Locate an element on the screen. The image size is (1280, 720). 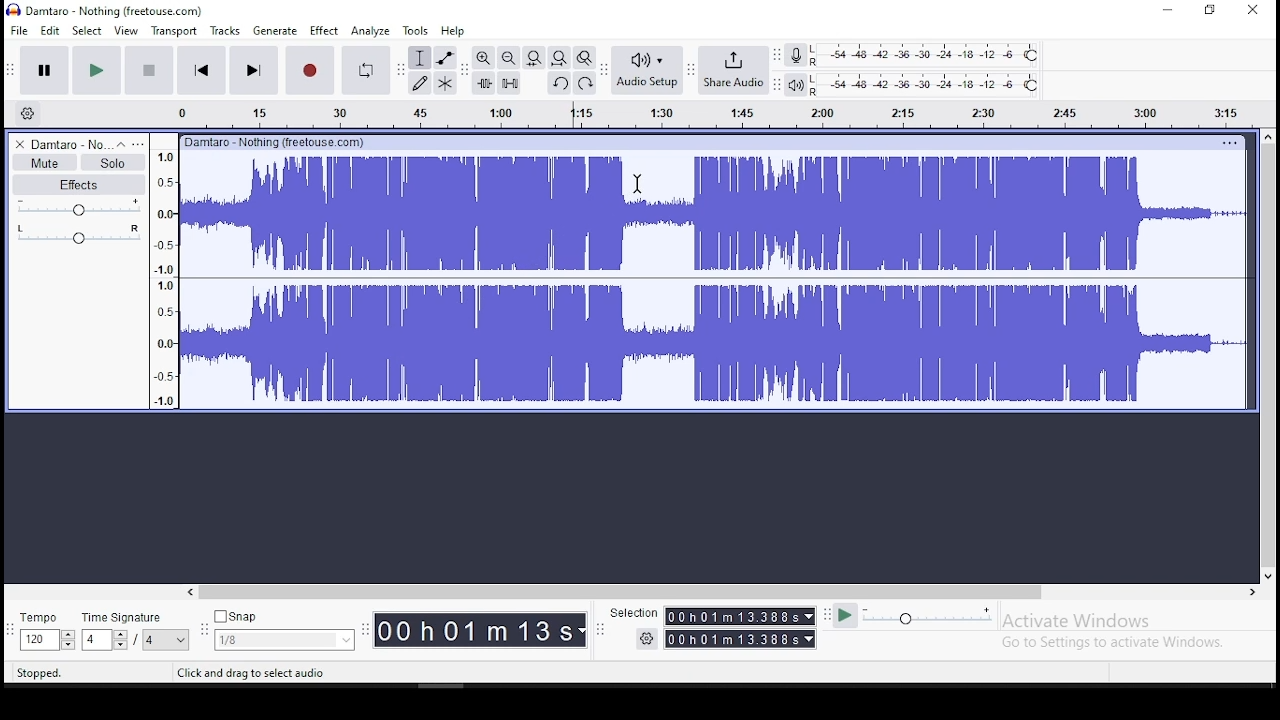
help is located at coordinates (453, 31).